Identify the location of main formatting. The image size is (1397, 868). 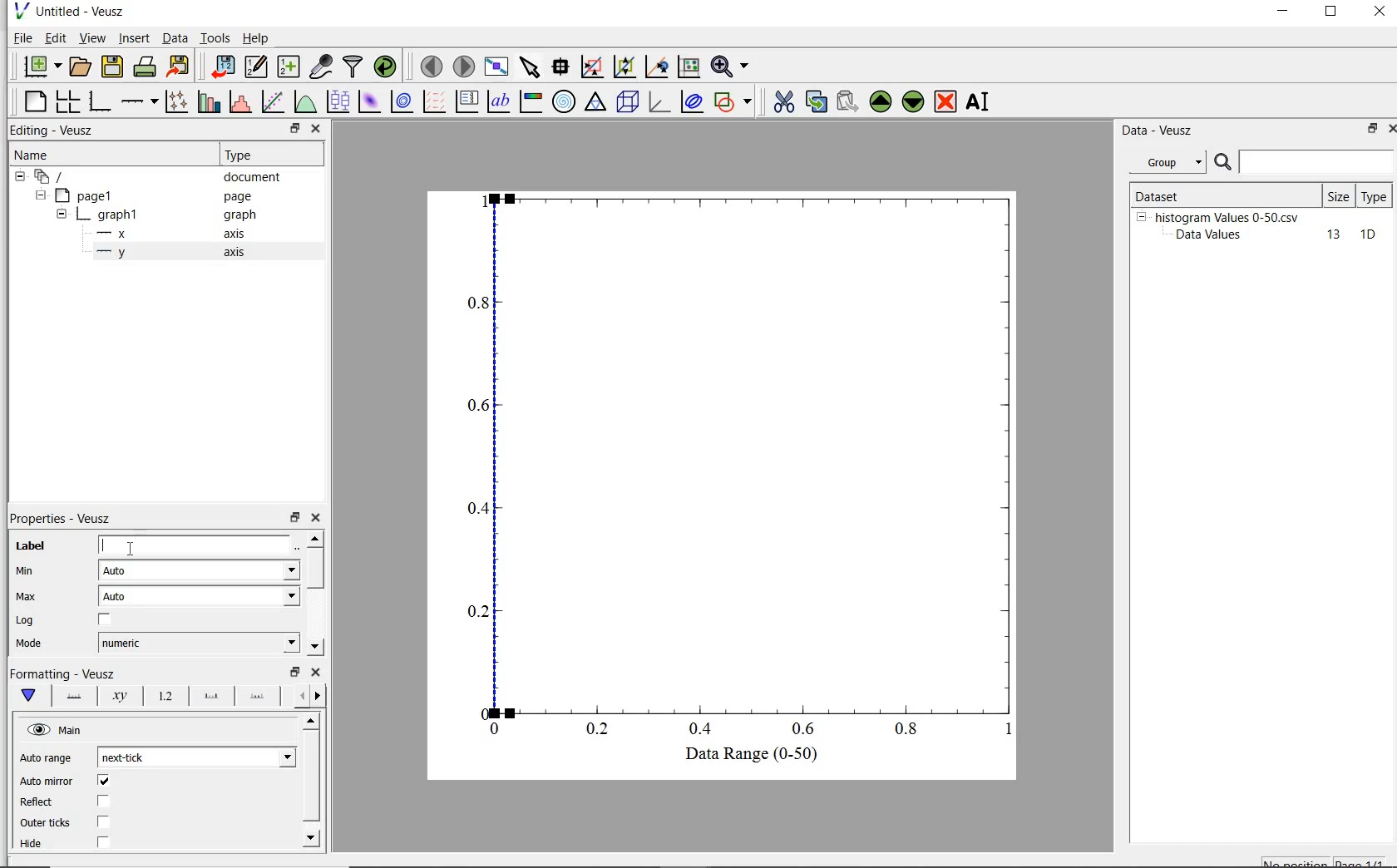
(31, 696).